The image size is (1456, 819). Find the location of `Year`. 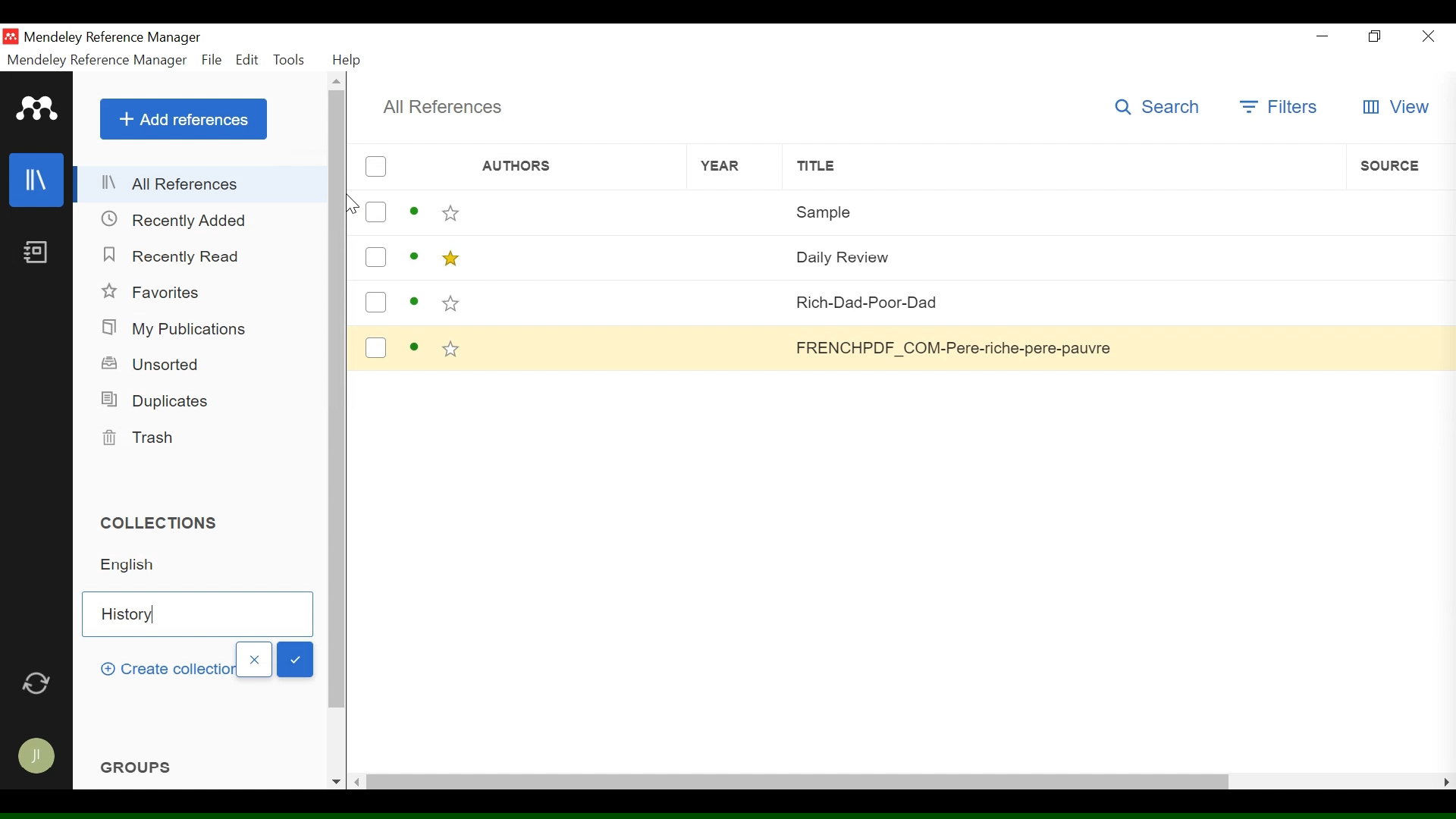

Year is located at coordinates (736, 258).